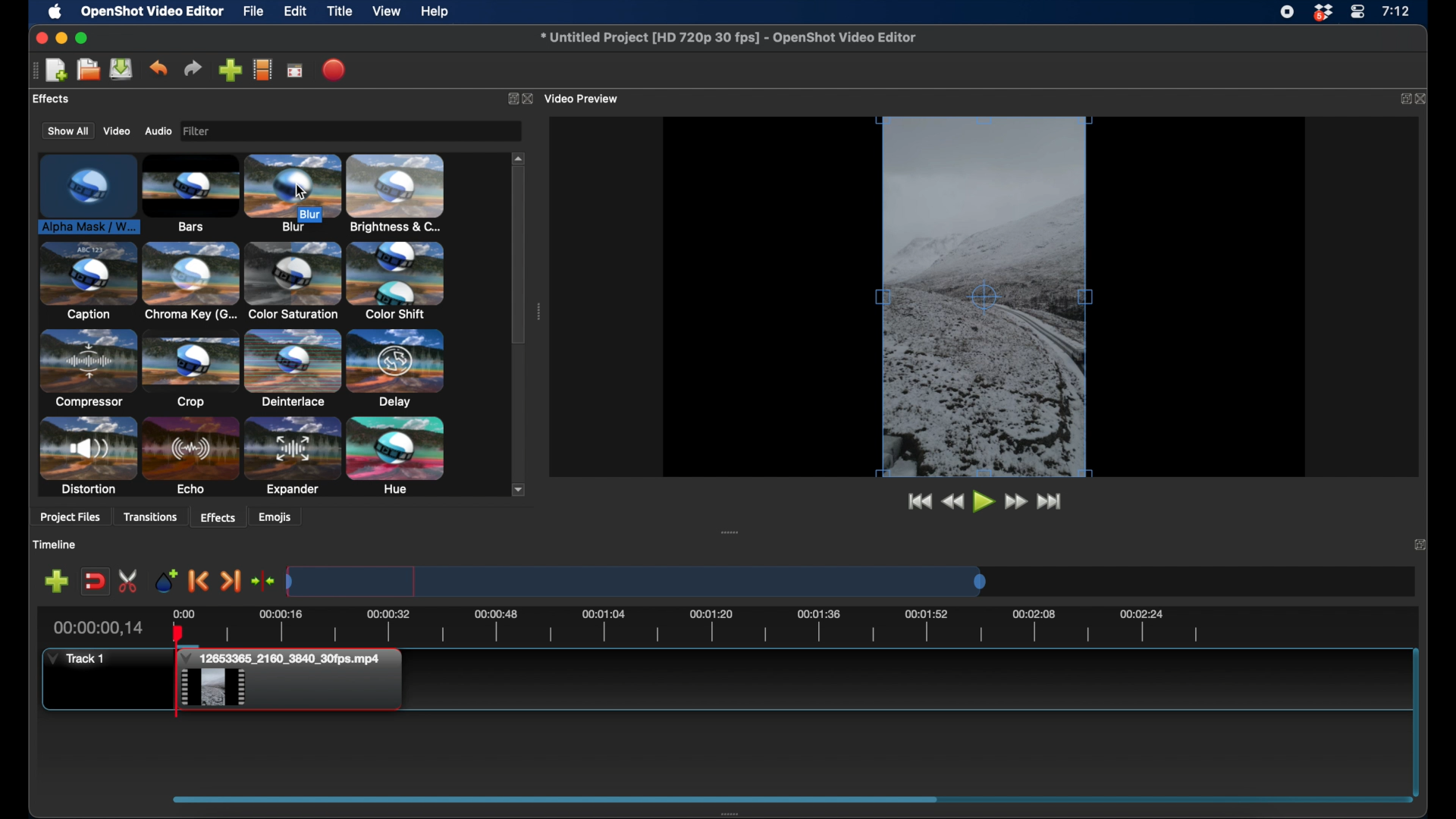  What do you see at coordinates (199, 581) in the screenshot?
I see `previous marker` at bounding box center [199, 581].